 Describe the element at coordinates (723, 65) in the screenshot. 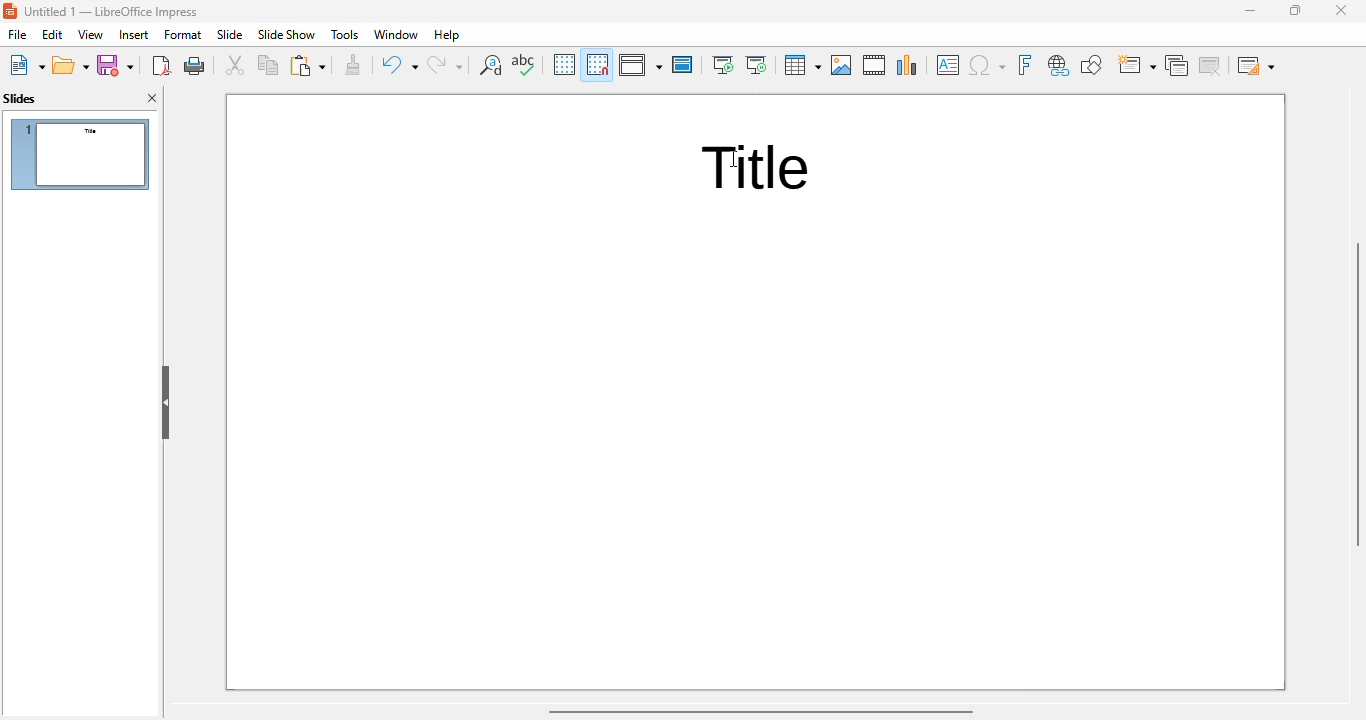

I see `start from first slide` at that location.